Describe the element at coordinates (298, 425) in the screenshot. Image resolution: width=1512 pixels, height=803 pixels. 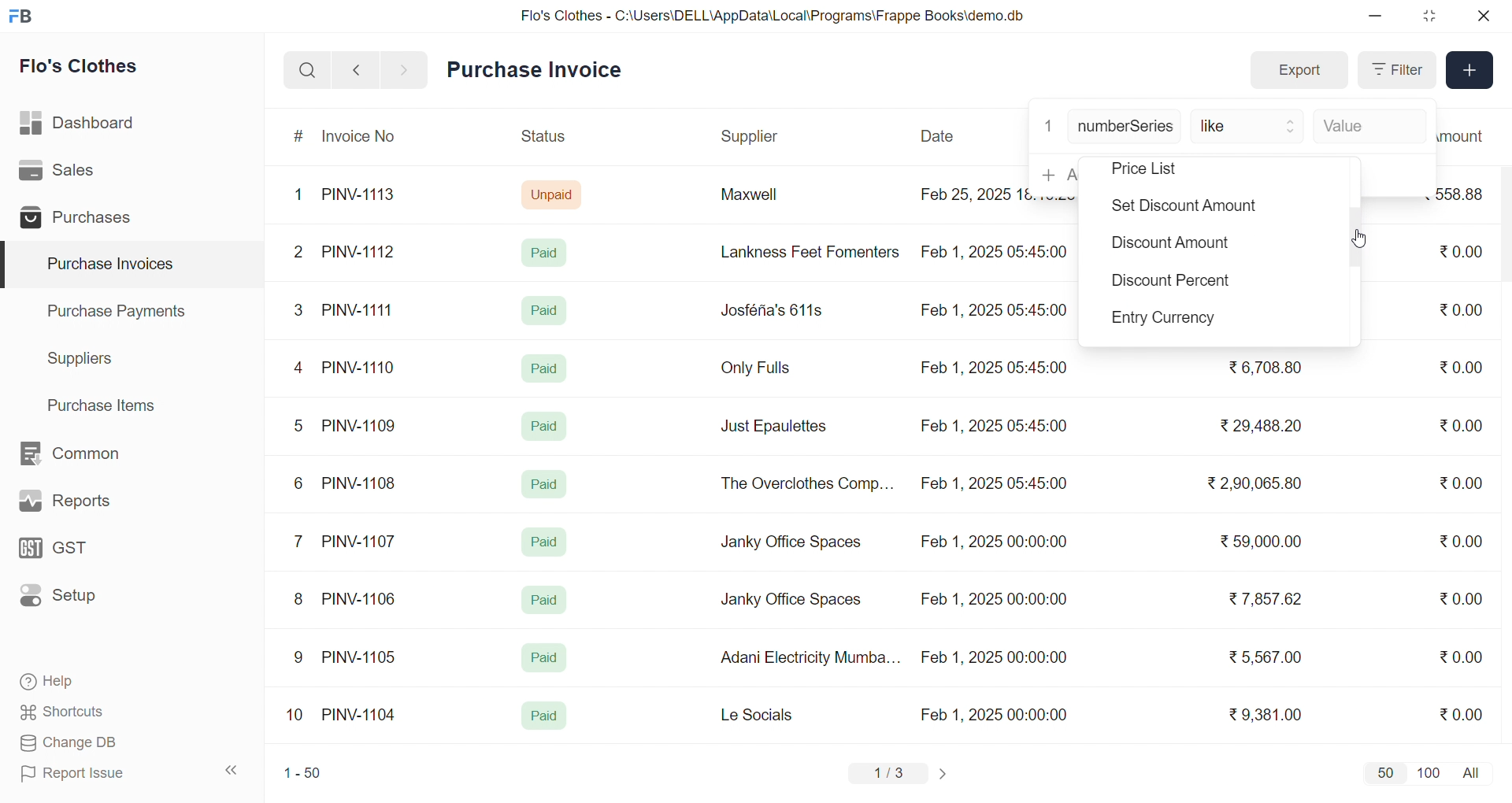
I see `5` at that location.